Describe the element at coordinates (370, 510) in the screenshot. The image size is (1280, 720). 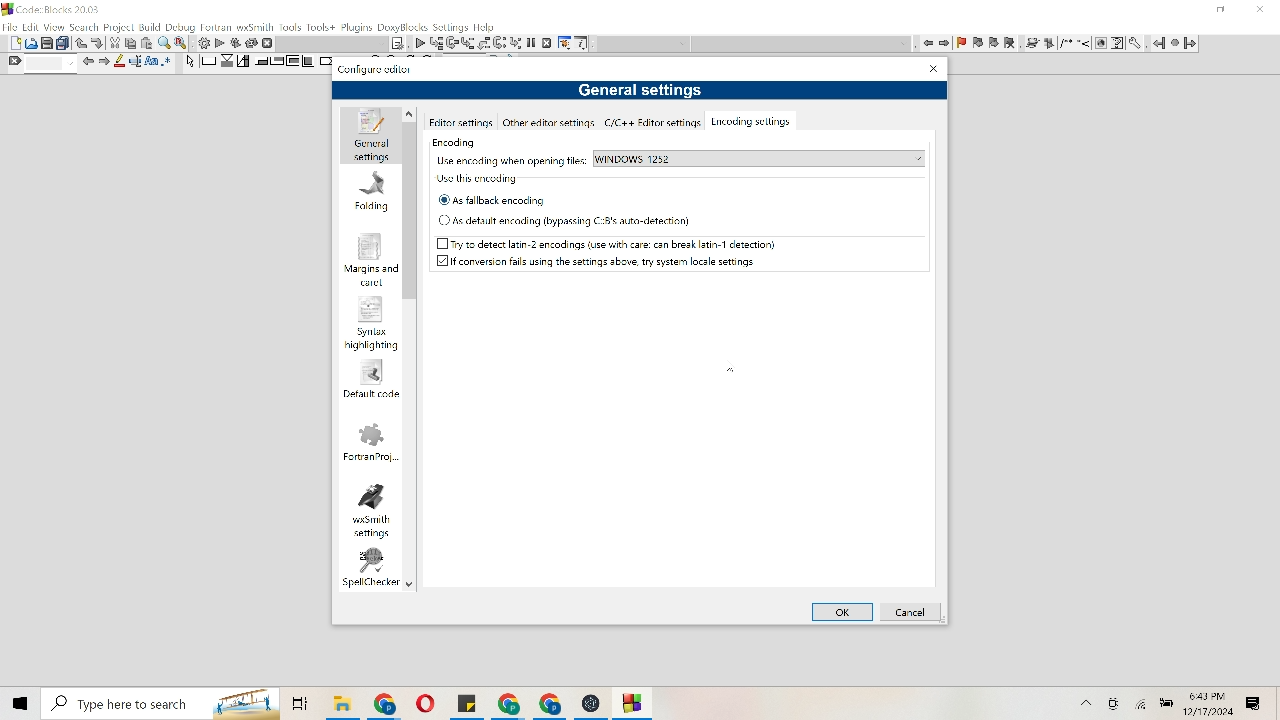
I see `wxsmith settings` at that location.